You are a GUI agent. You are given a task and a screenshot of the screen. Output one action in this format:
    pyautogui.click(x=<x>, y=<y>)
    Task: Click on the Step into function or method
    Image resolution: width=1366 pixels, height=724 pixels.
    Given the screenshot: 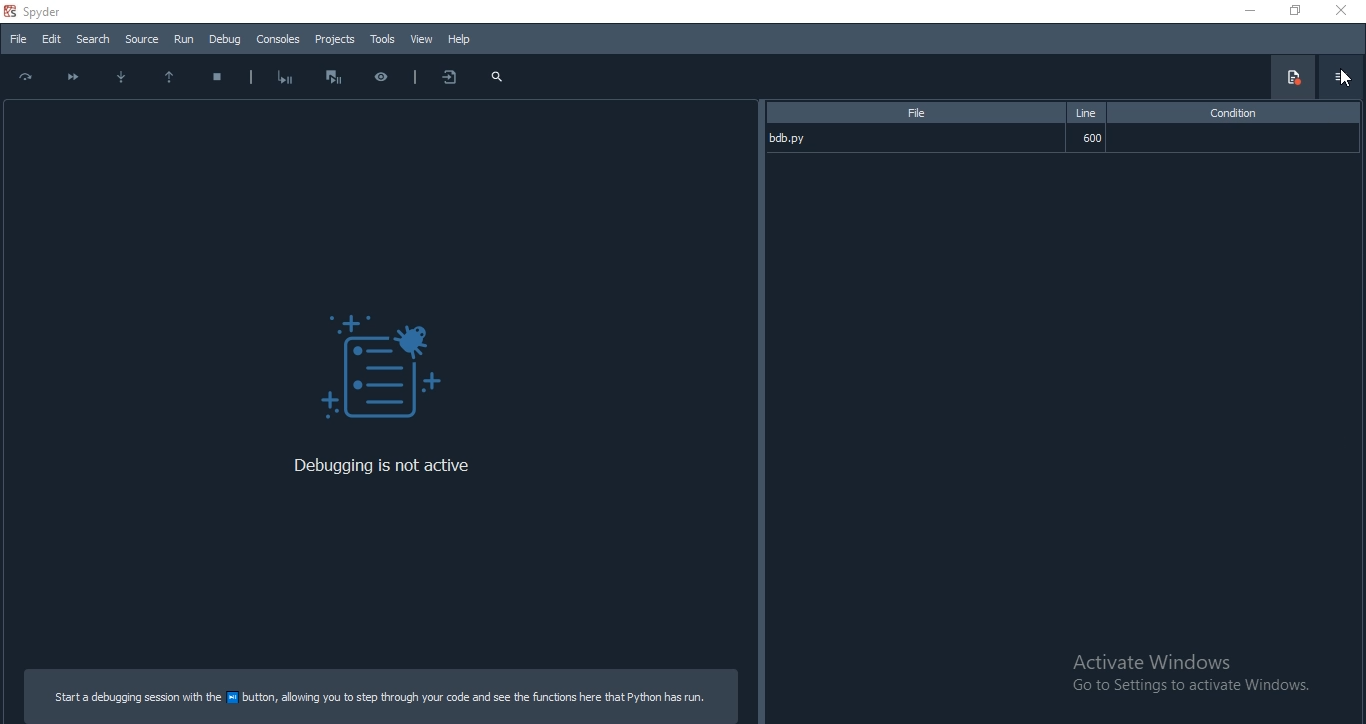 What is the action you would take?
    pyautogui.click(x=120, y=77)
    